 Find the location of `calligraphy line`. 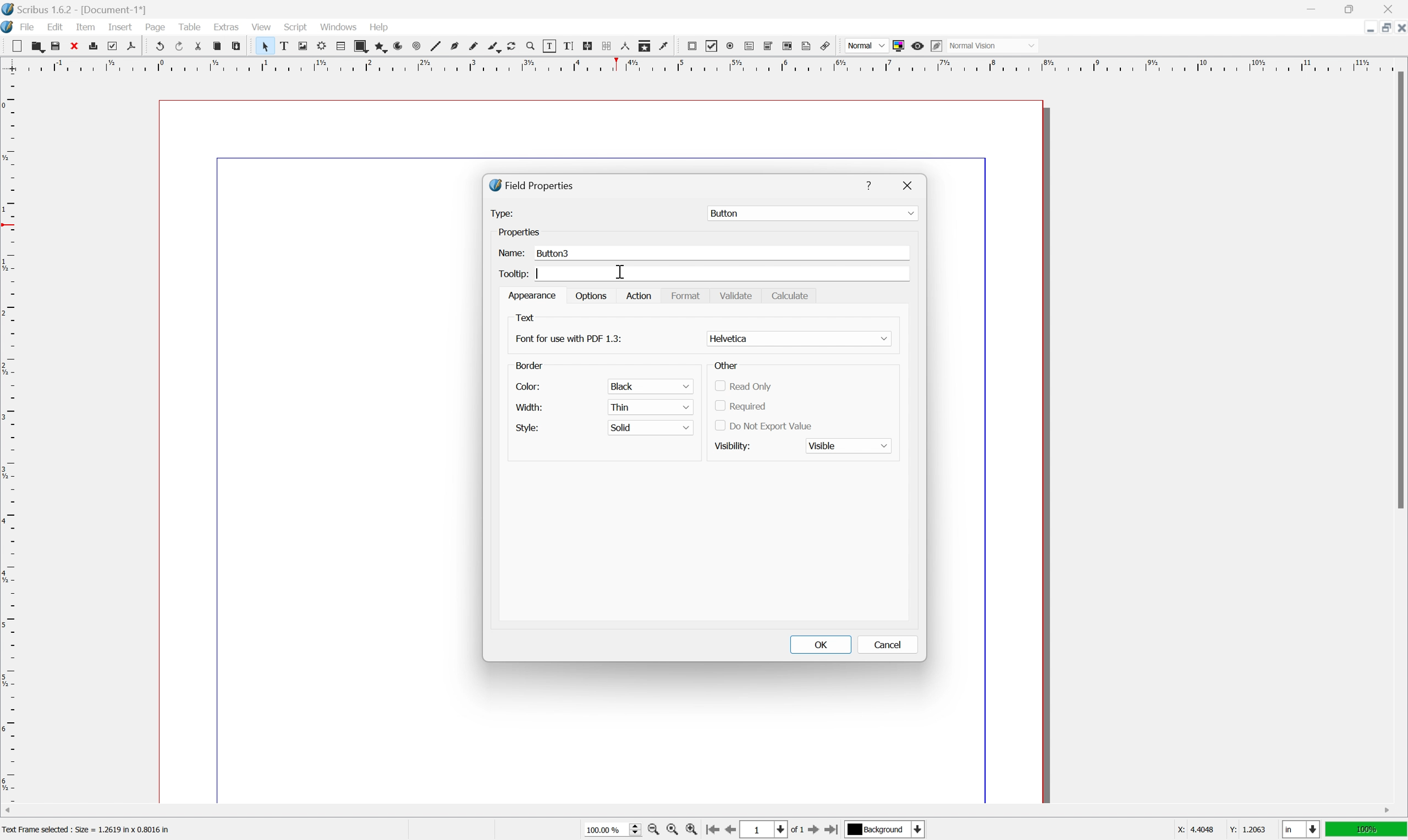

calligraphy line is located at coordinates (493, 46).